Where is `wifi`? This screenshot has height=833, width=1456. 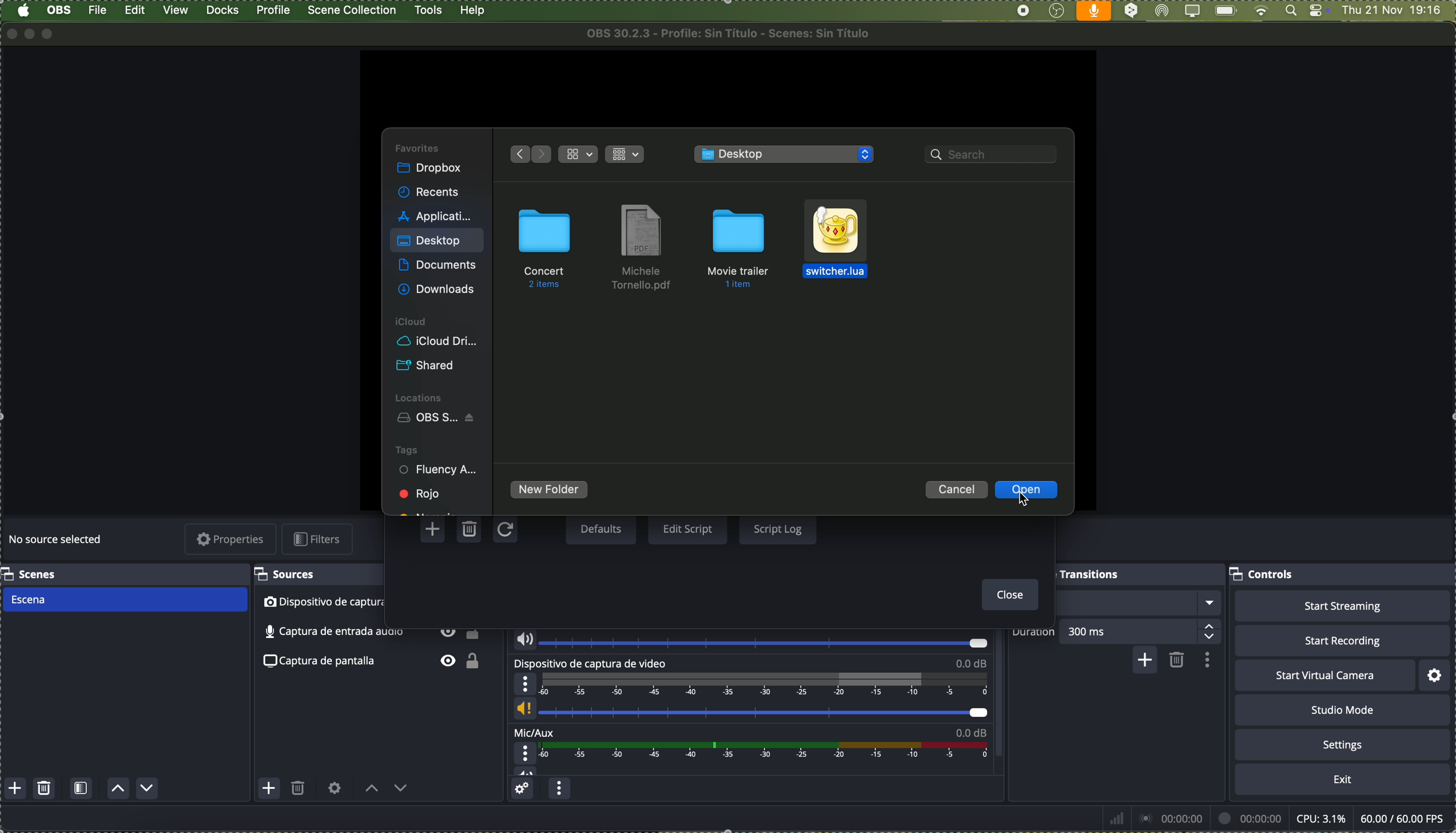
wifi is located at coordinates (1261, 11).